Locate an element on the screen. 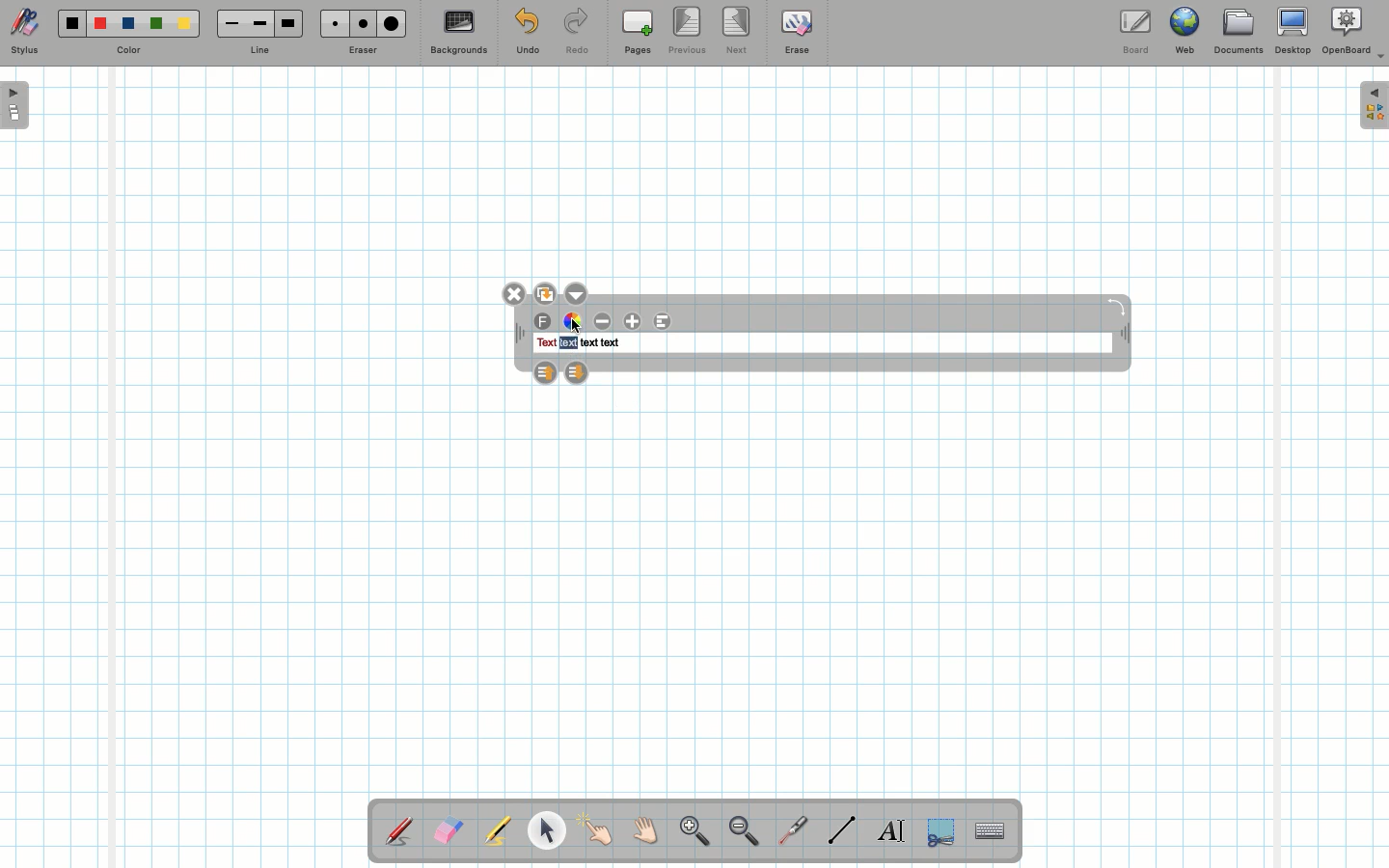 The width and height of the screenshot is (1389, 868). Color is located at coordinates (126, 51).